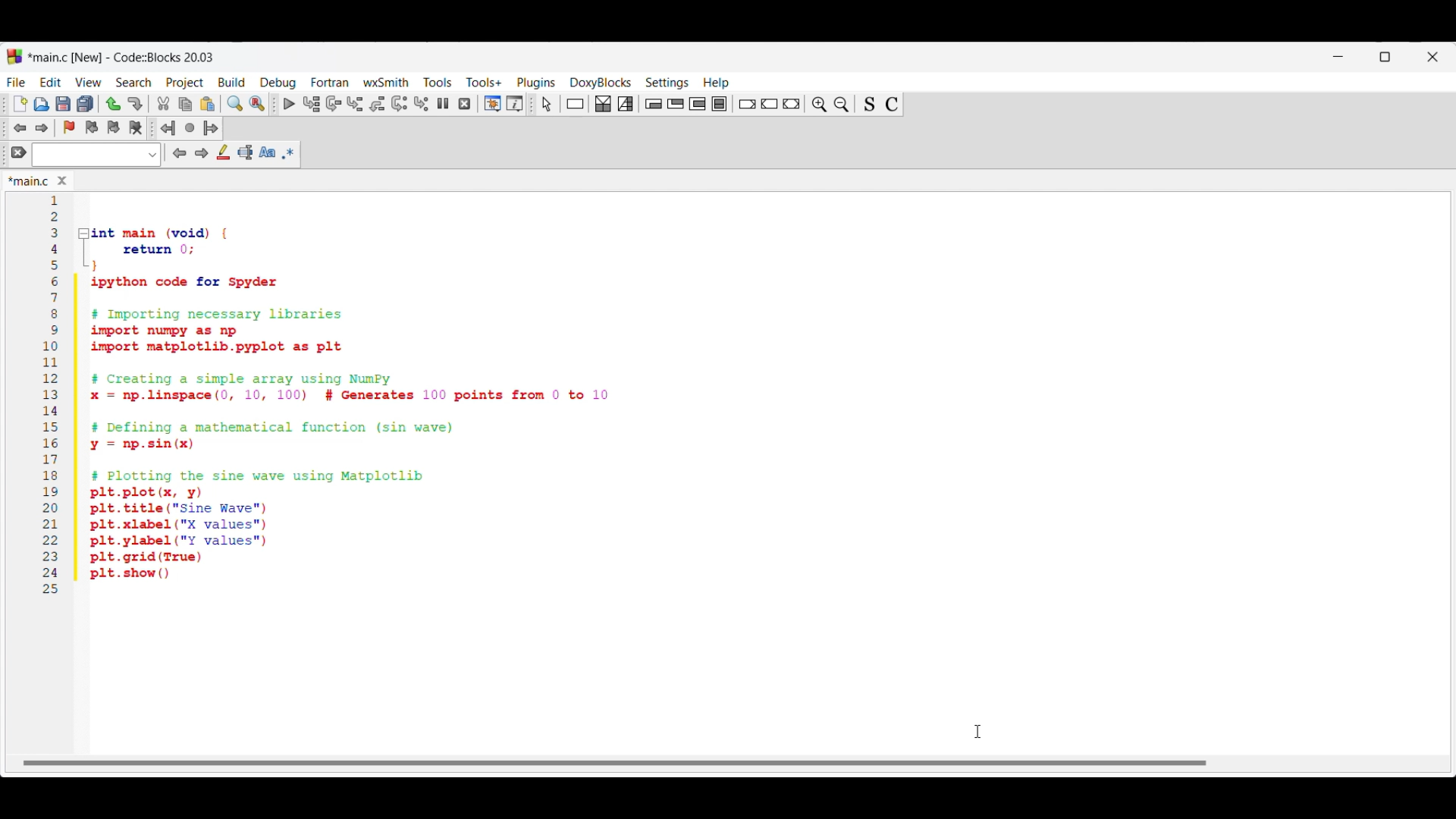 The image size is (1456, 819). Describe the element at coordinates (278, 83) in the screenshot. I see `Debug menu` at that location.